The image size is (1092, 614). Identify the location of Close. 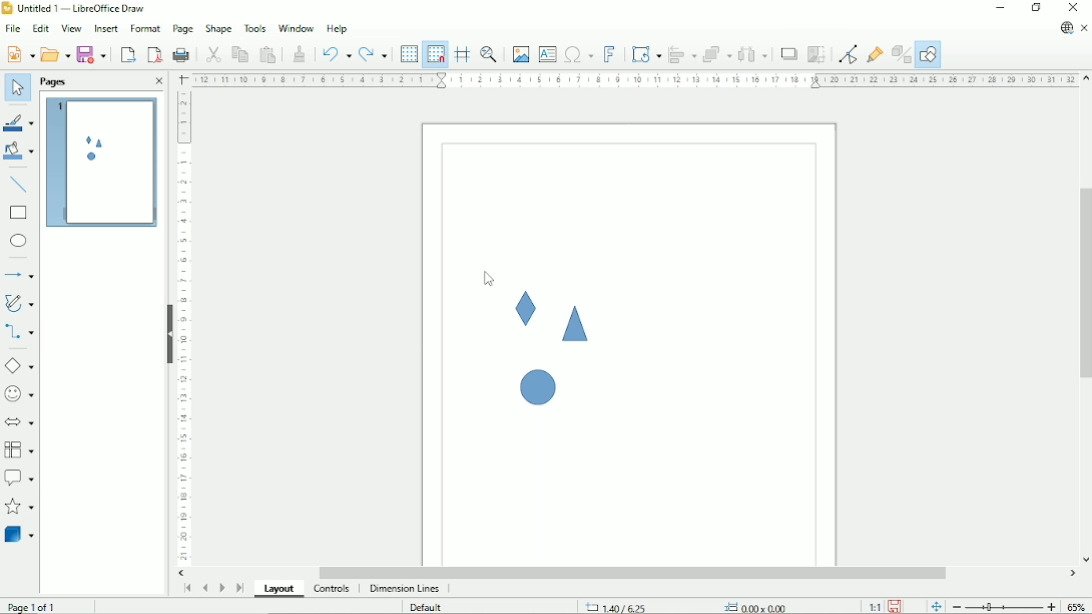
(158, 82).